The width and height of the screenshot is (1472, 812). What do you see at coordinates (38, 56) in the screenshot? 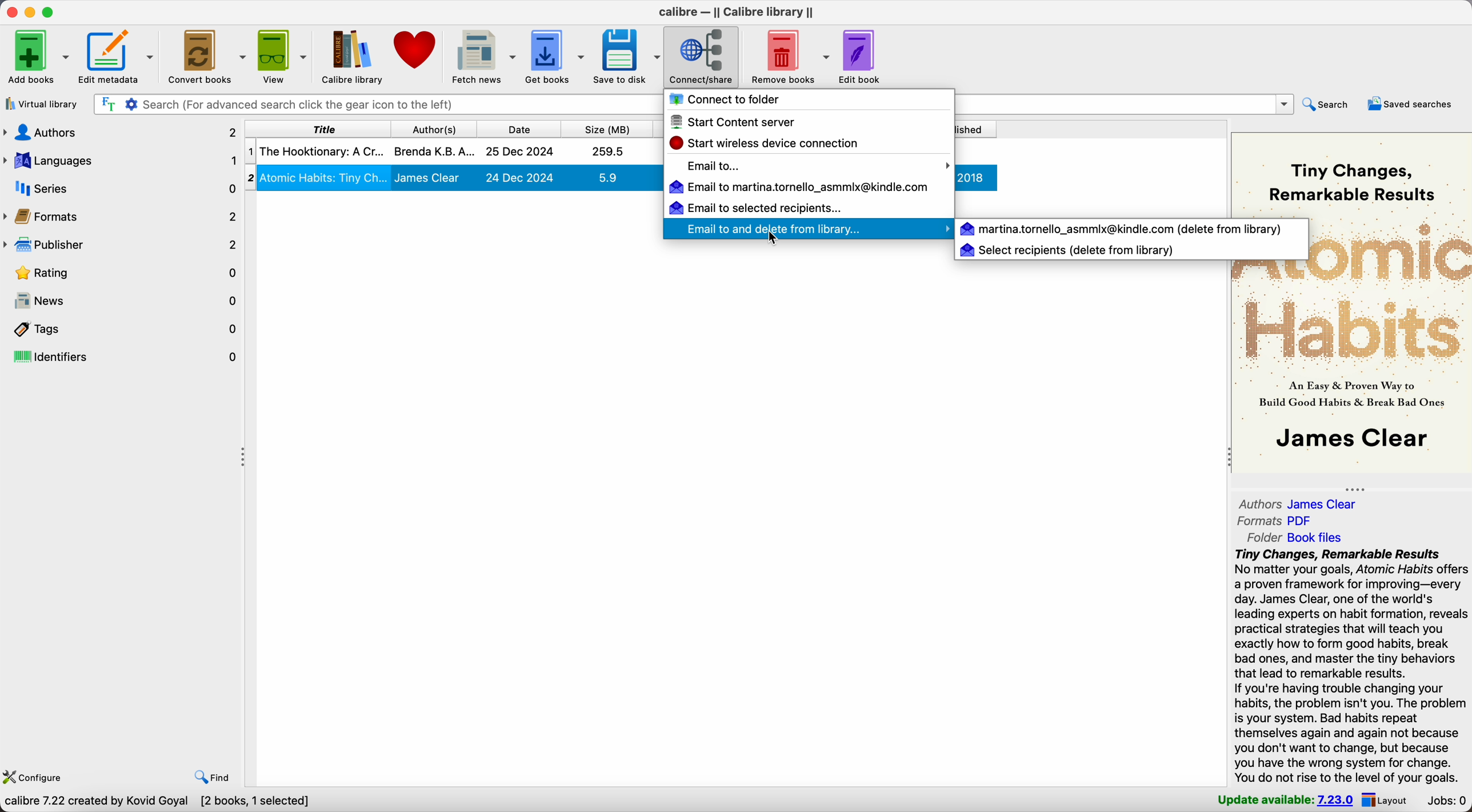
I see `Add books` at bounding box center [38, 56].